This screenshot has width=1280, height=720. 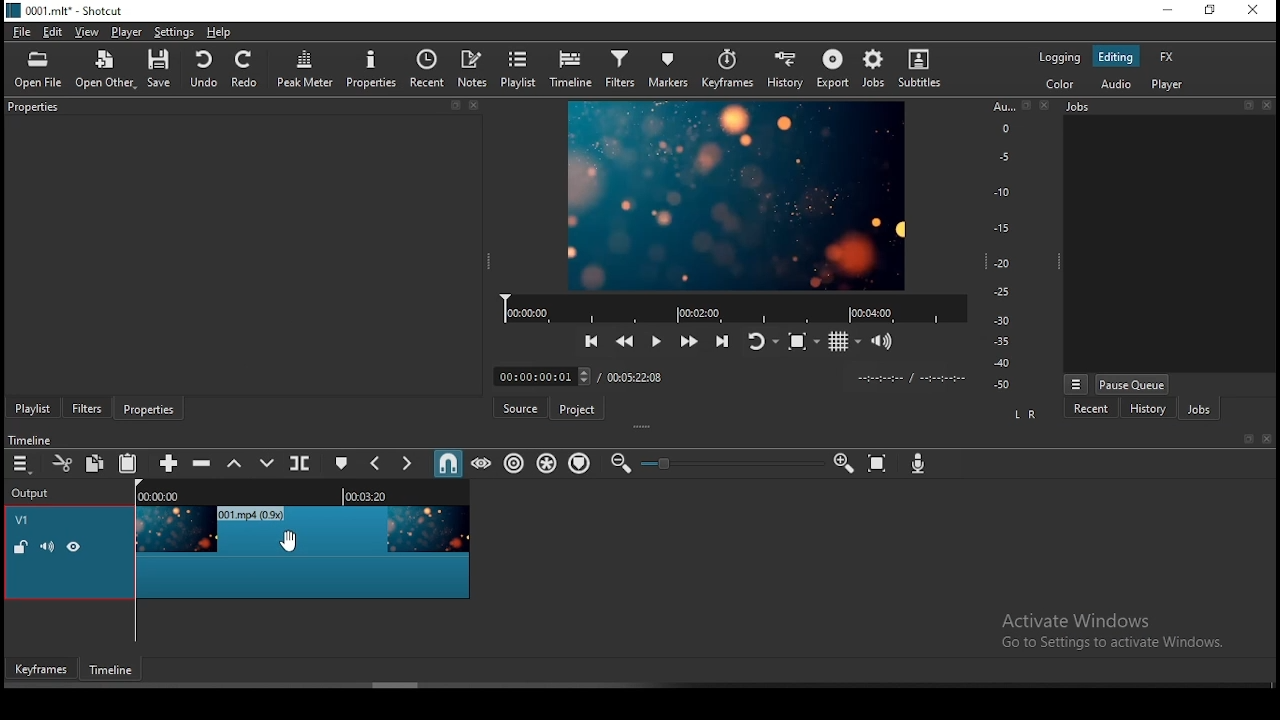 What do you see at coordinates (234, 464) in the screenshot?
I see `lift` at bounding box center [234, 464].